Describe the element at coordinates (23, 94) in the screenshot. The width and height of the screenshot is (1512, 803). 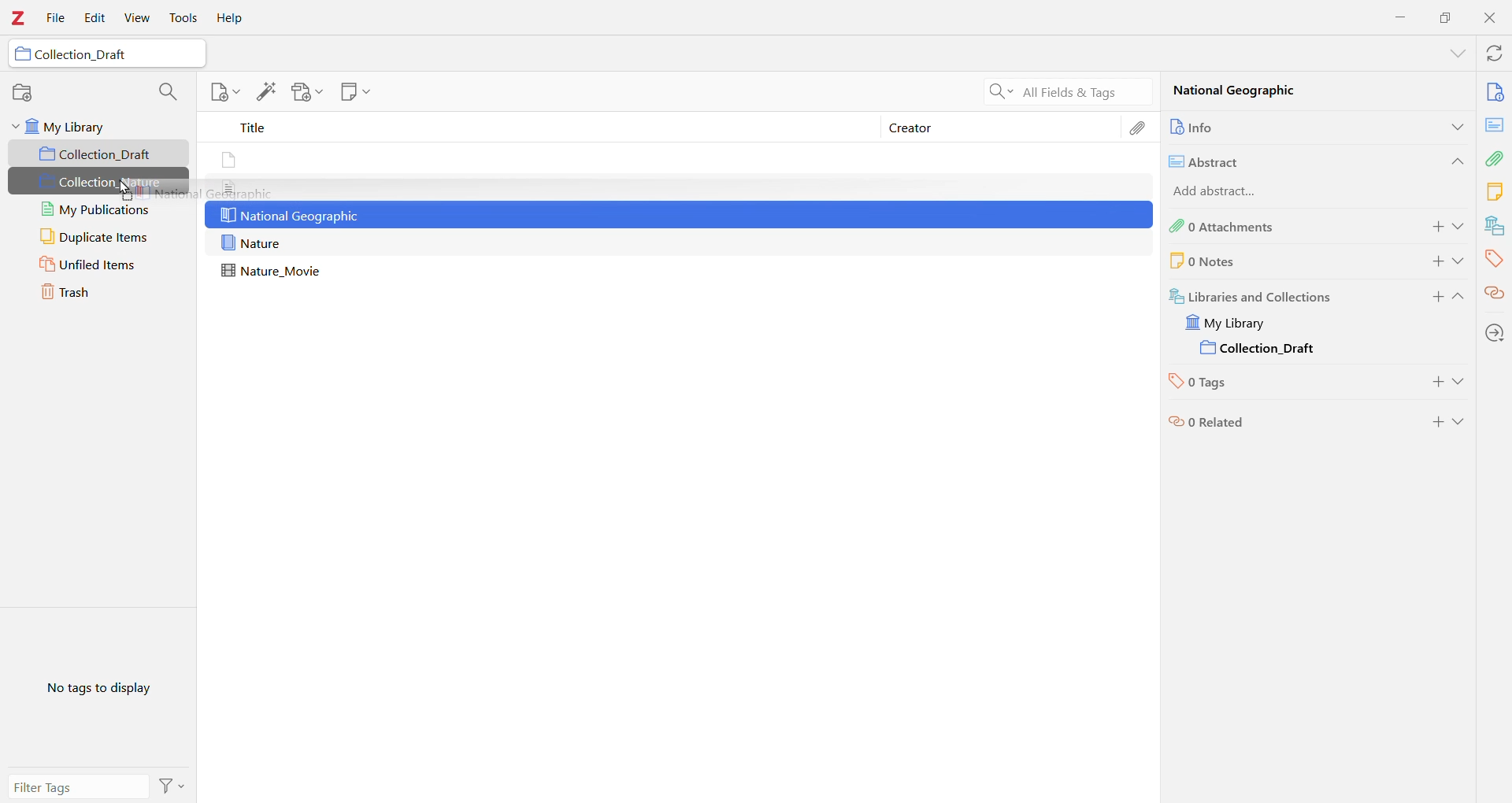
I see `New Collection` at that location.